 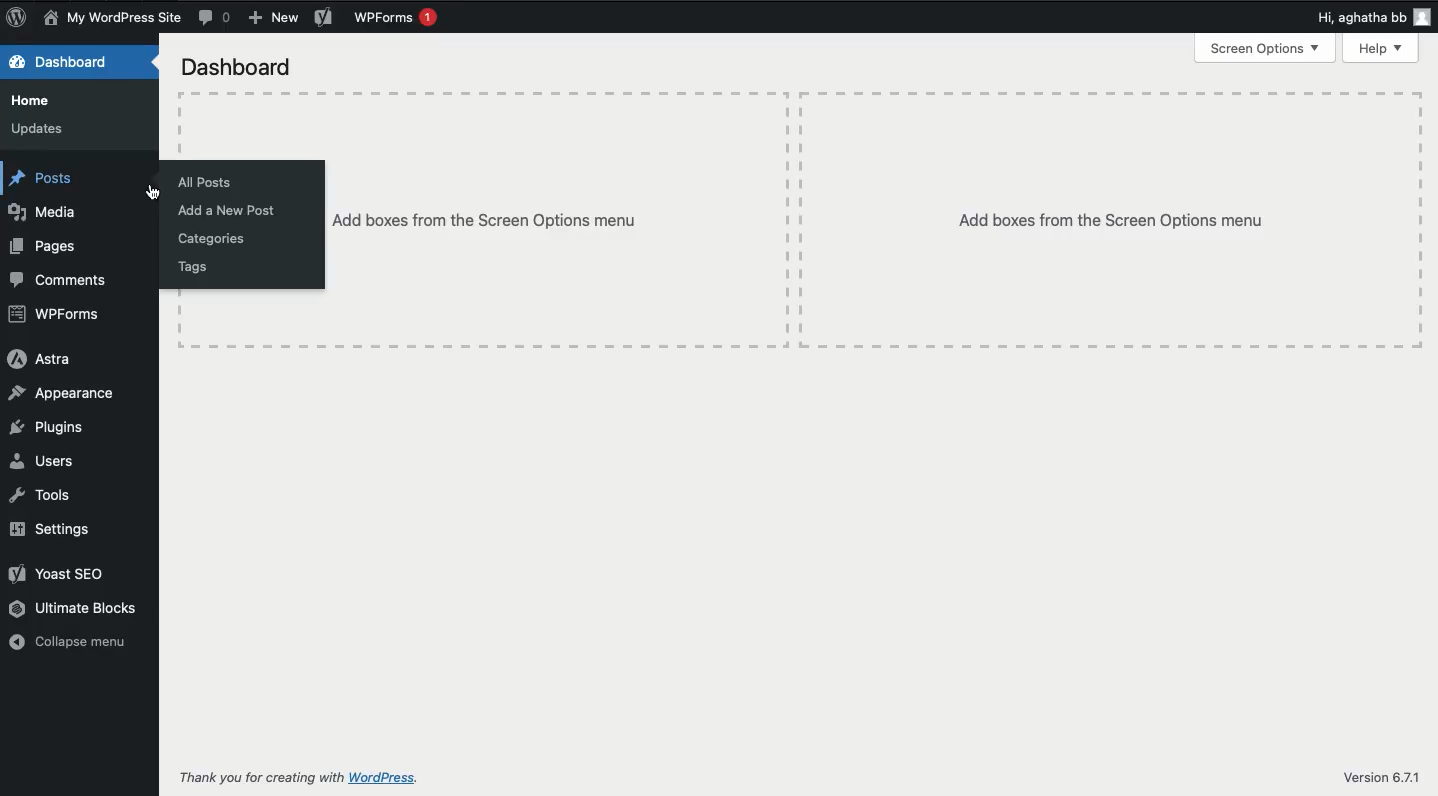 I want to click on Hi user, so click(x=1374, y=18).